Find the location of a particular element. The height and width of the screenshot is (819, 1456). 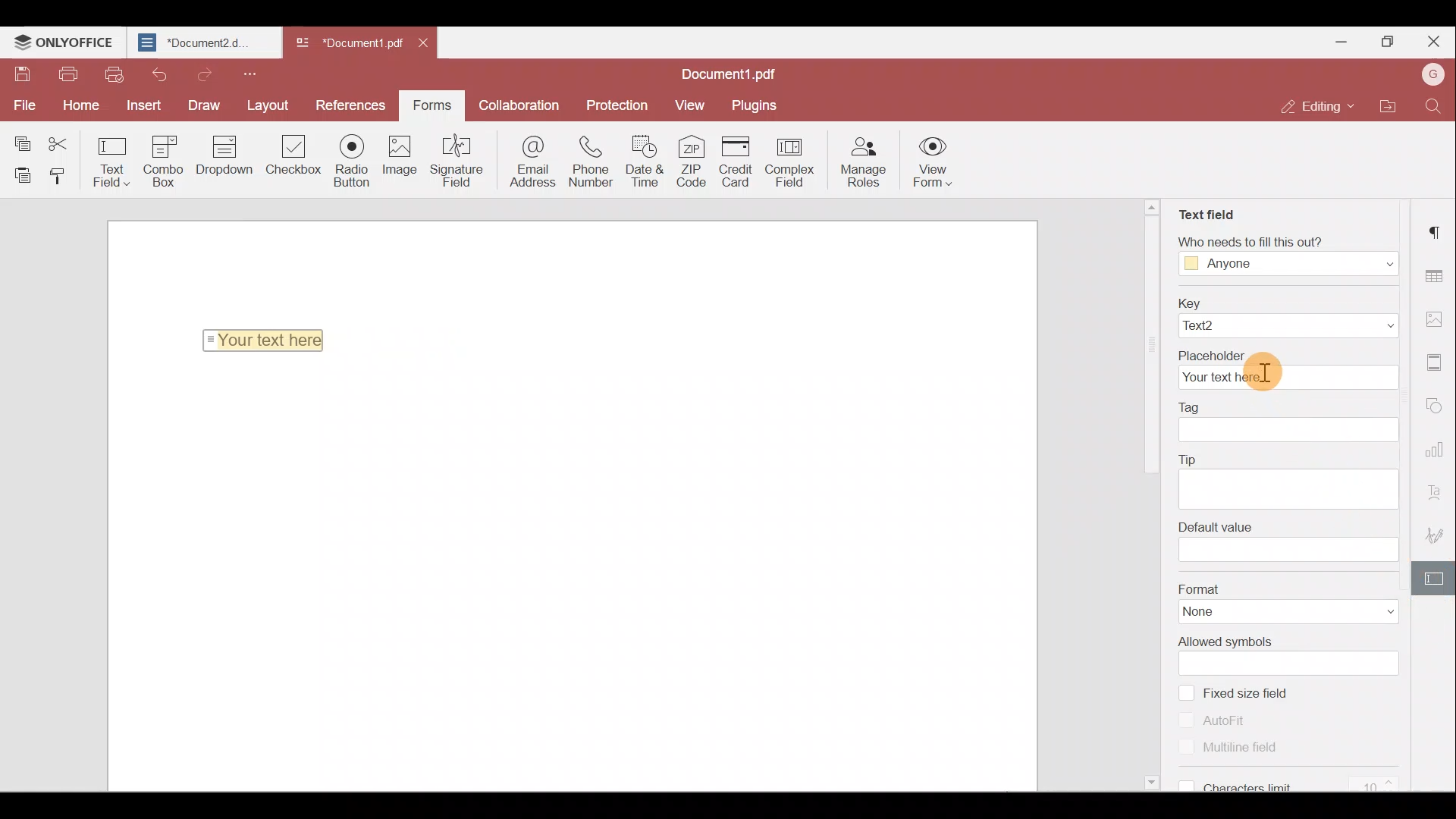

checkbox is located at coordinates (1188, 748).